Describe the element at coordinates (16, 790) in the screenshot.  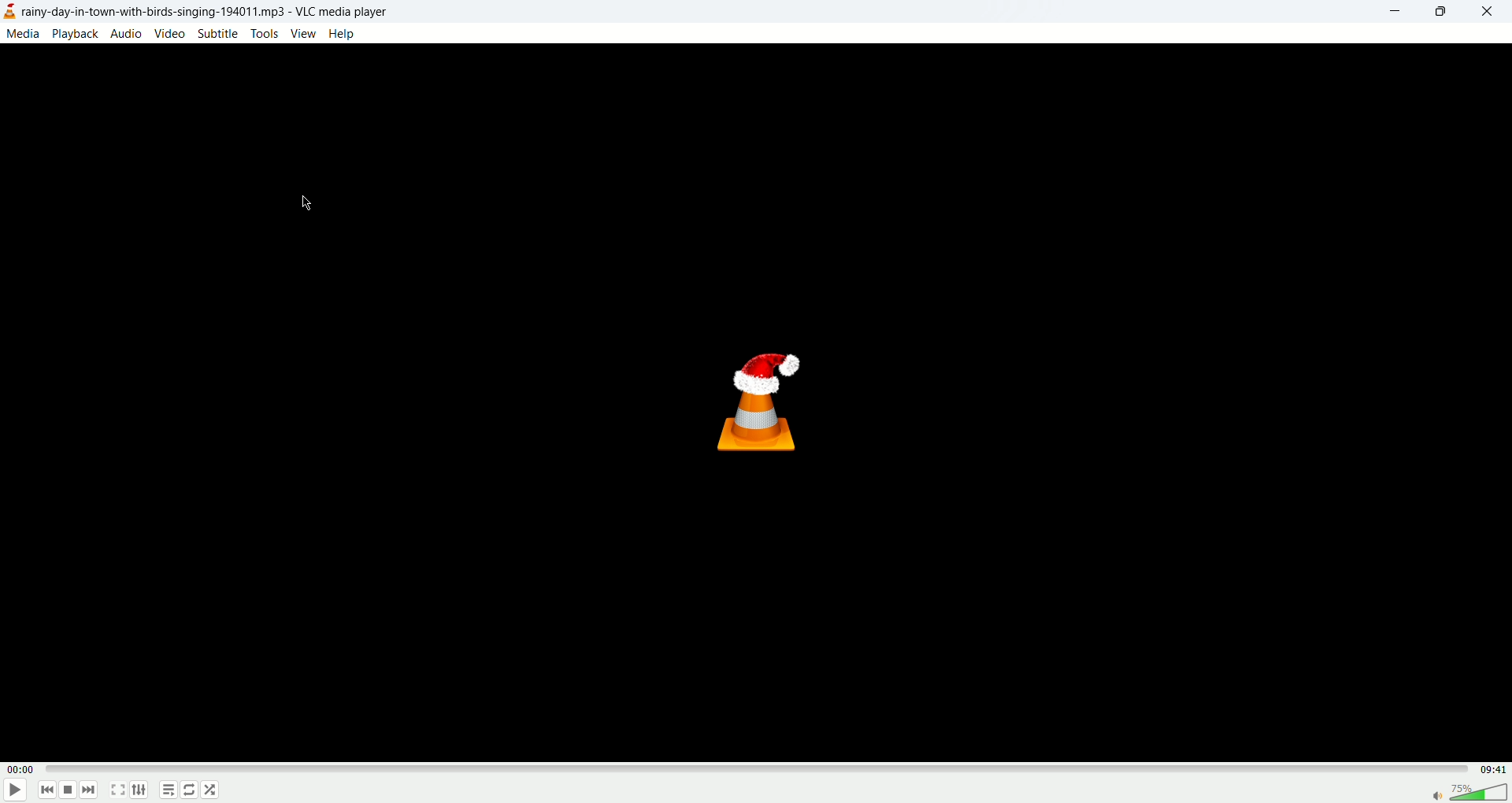
I see `play/pause` at that location.